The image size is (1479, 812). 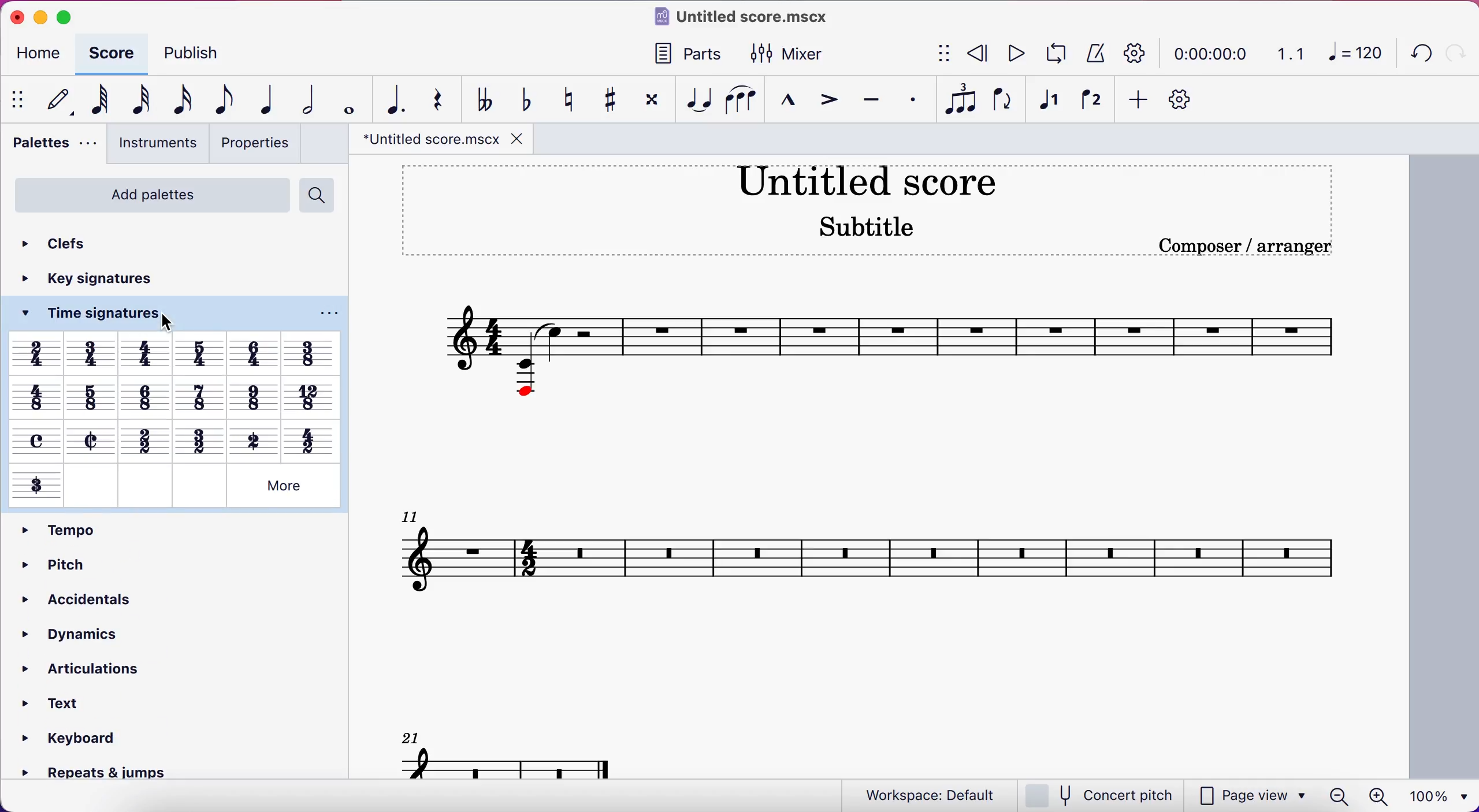 I want to click on publish, so click(x=197, y=55).